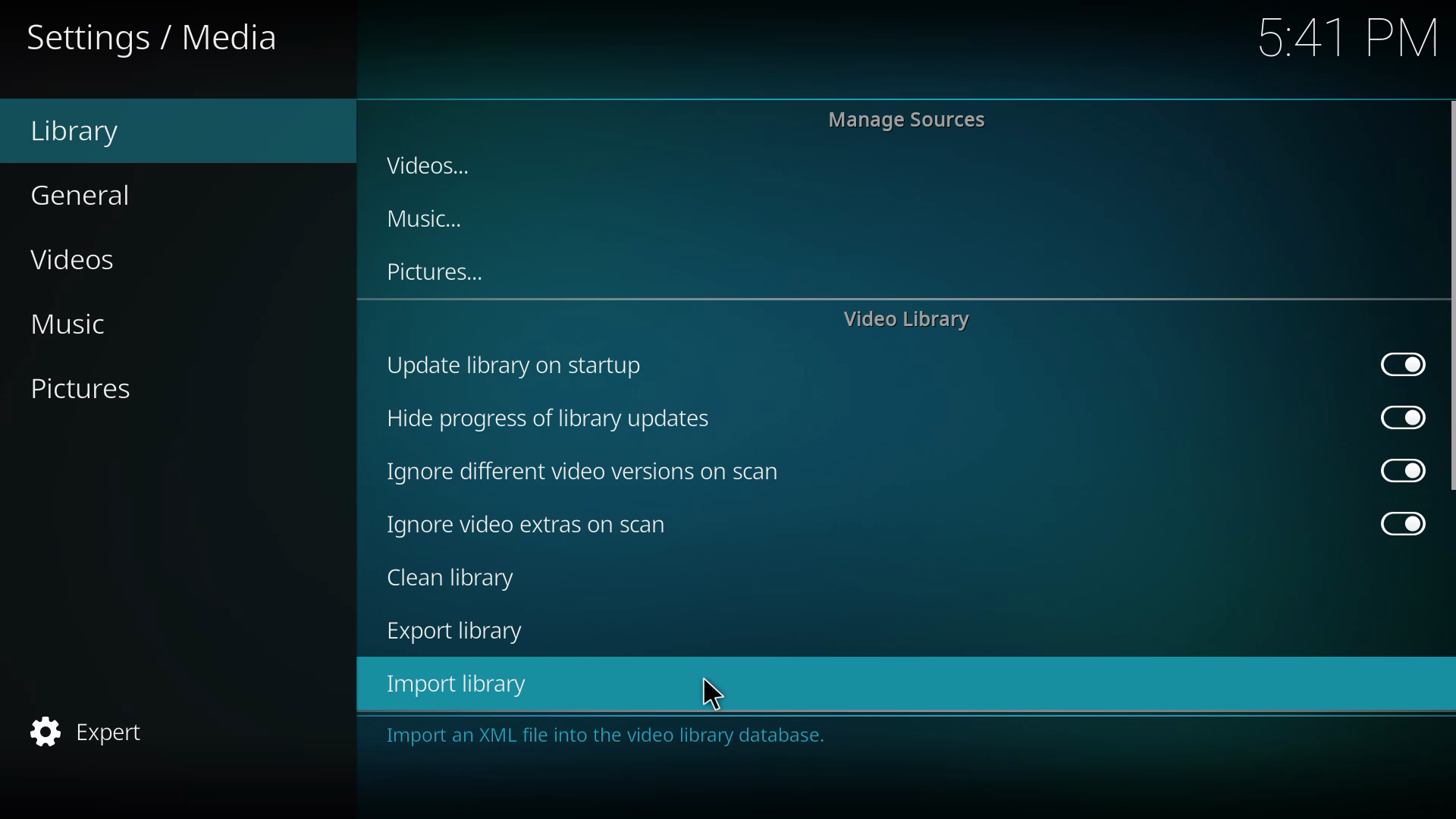 This screenshot has width=1456, height=819. Describe the element at coordinates (457, 686) in the screenshot. I see `import library` at that location.